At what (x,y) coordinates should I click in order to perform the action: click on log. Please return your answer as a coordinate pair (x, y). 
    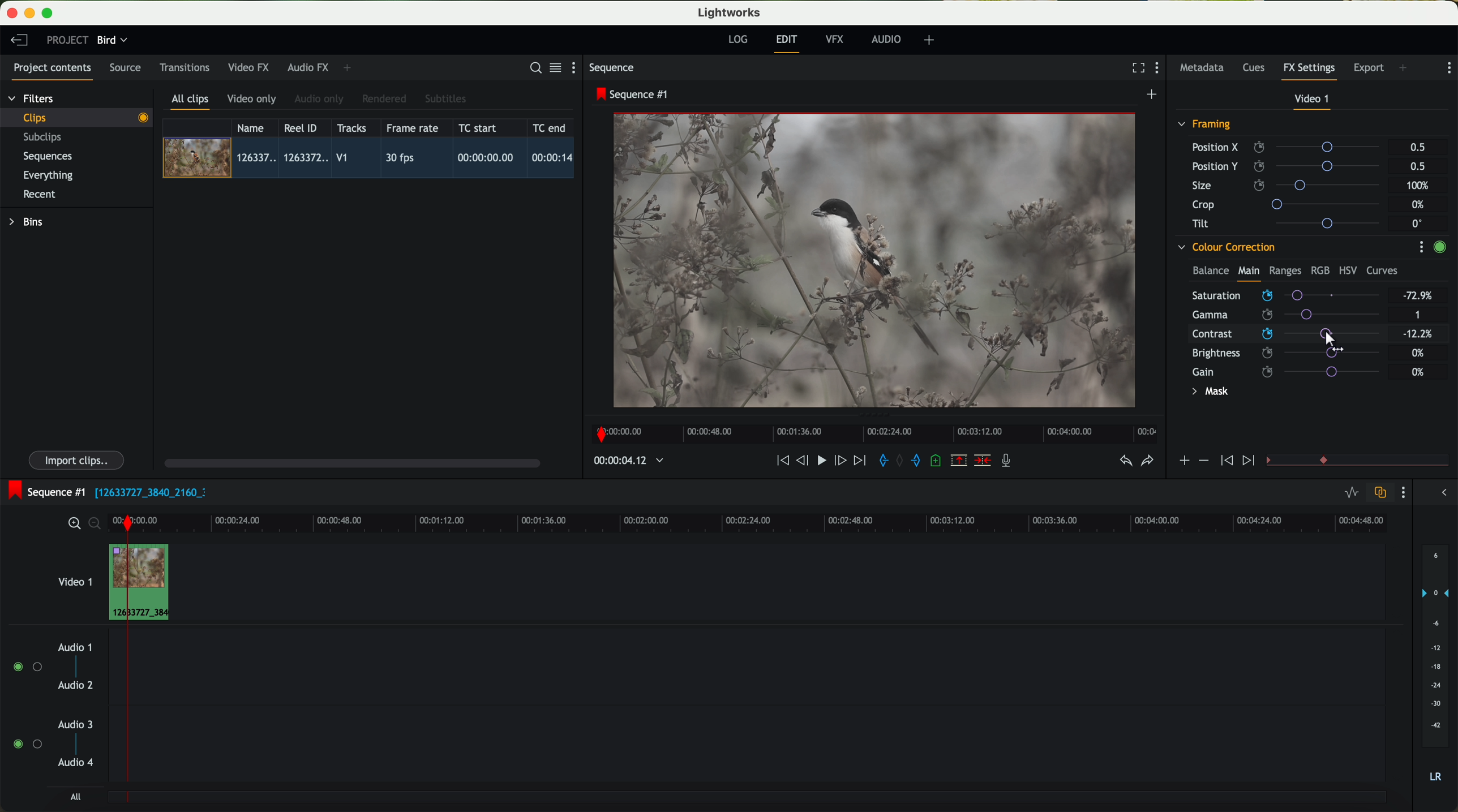
    Looking at the image, I should click on (737, 40).